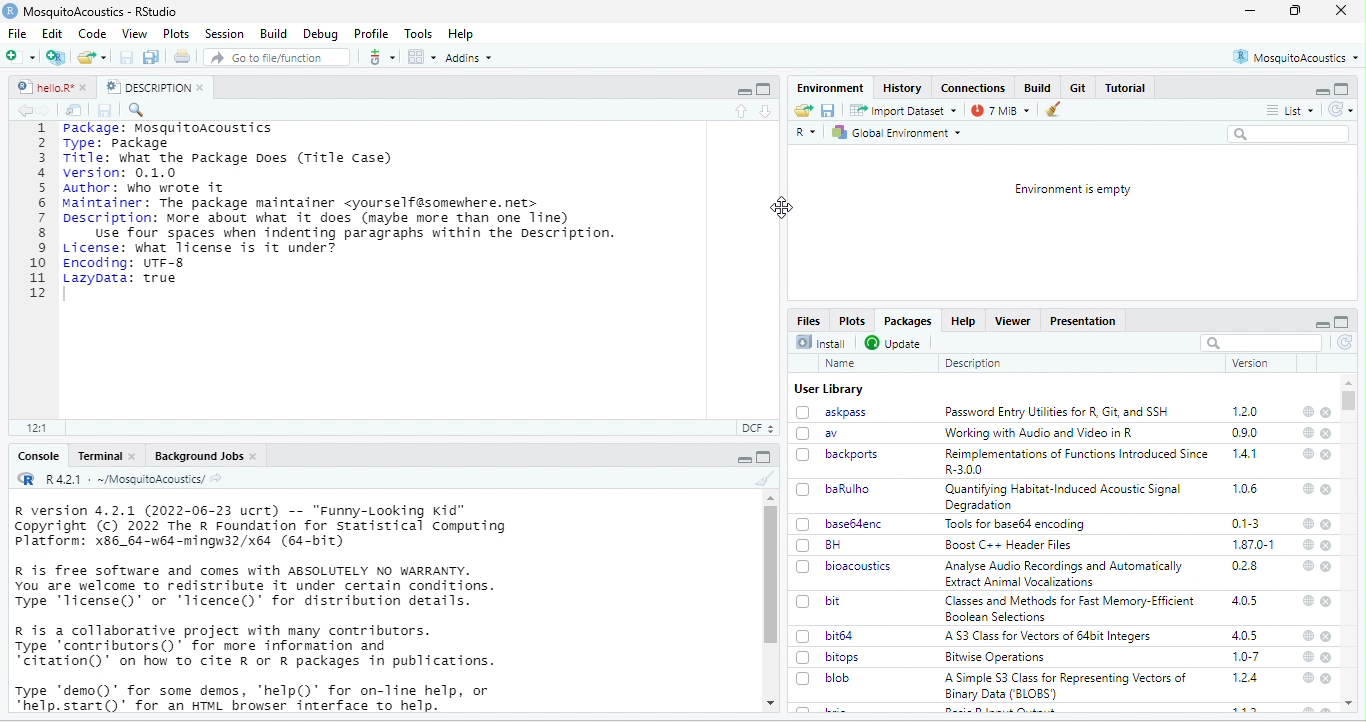 This screenshot has height=722, width=1366. I want to click on Load workspace, so click(803, 110).